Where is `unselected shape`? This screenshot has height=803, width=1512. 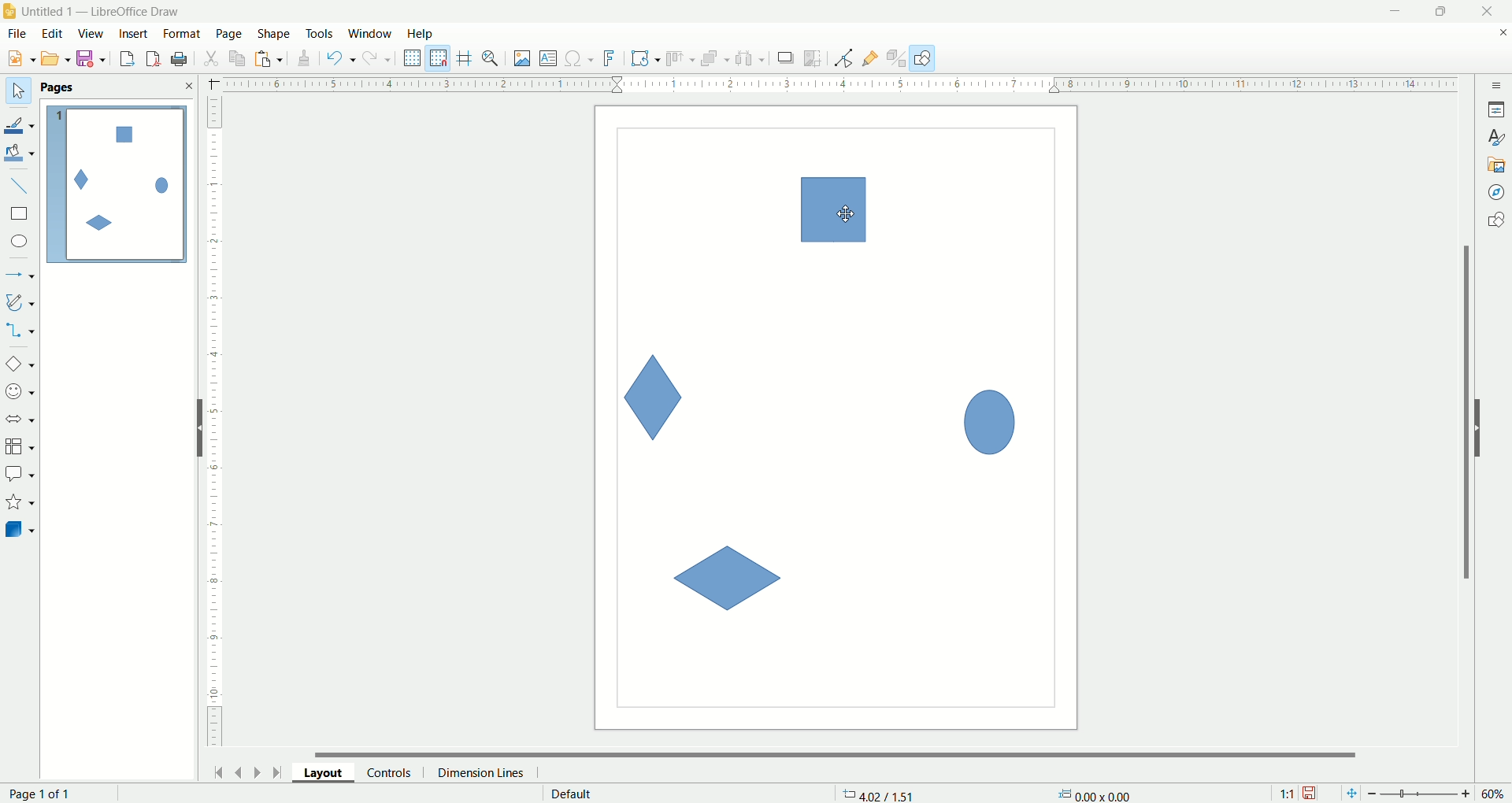 unselected shape is located at coordinates (726, 579).